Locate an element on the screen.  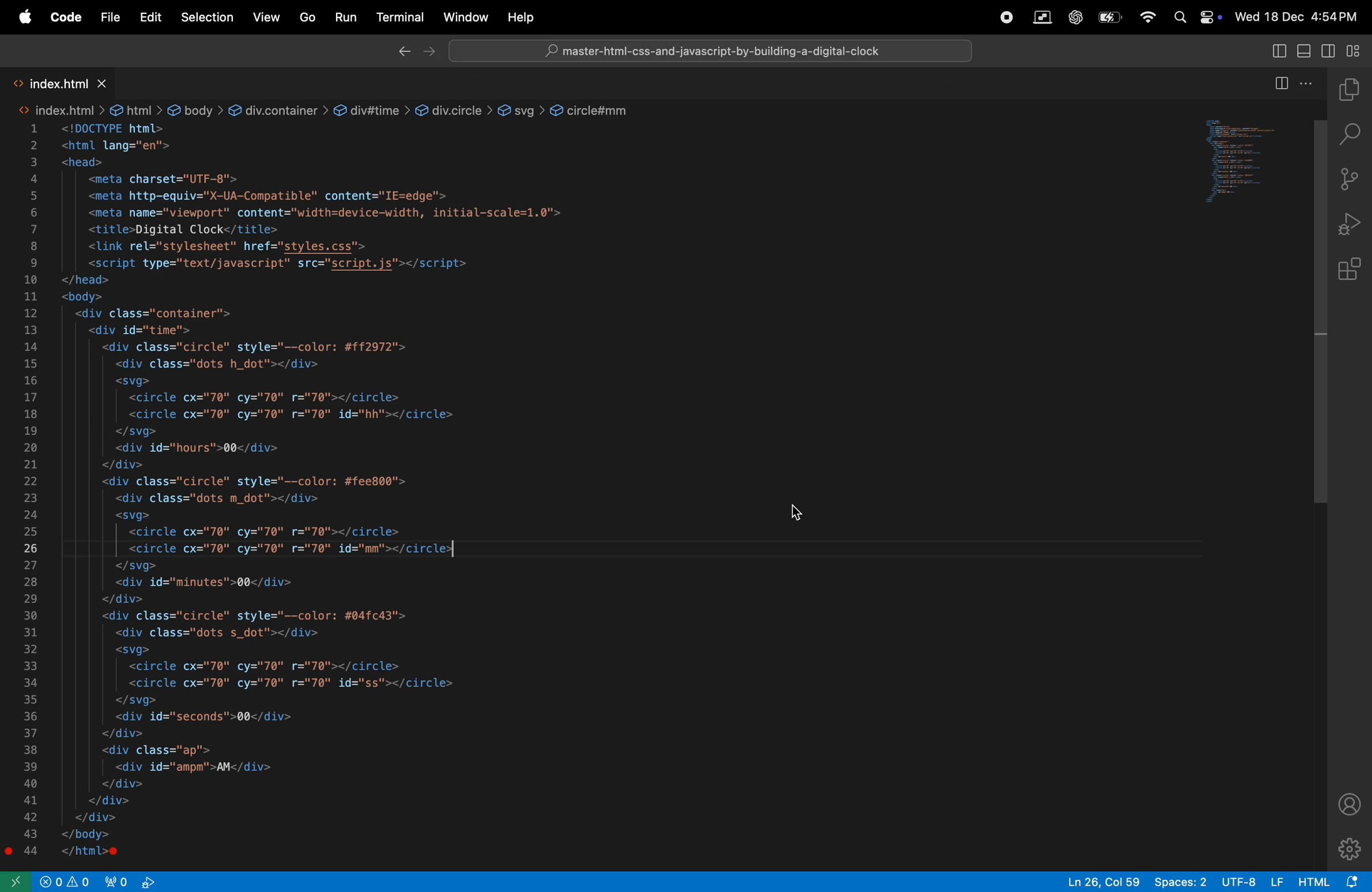
Go is located at coordinates (306, 18).